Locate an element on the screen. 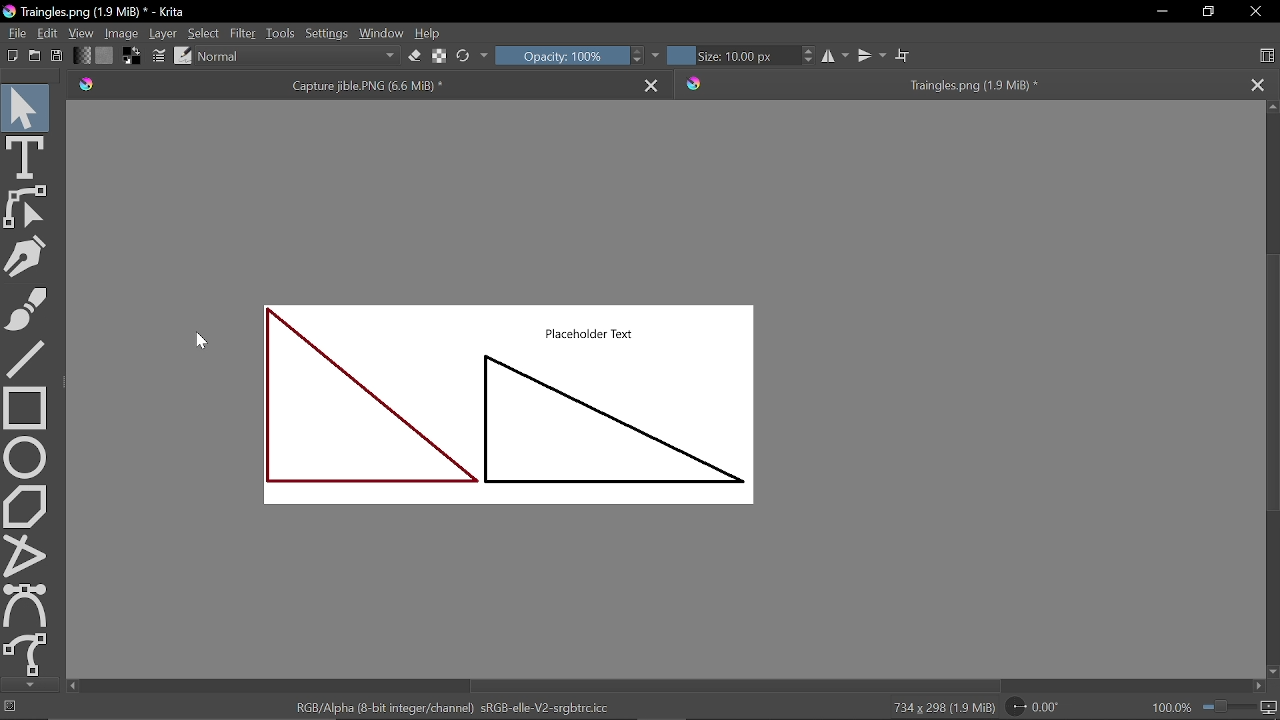 The image size is (1280, 720). Click and drag to move selection. is located at coordinates (116, 707).